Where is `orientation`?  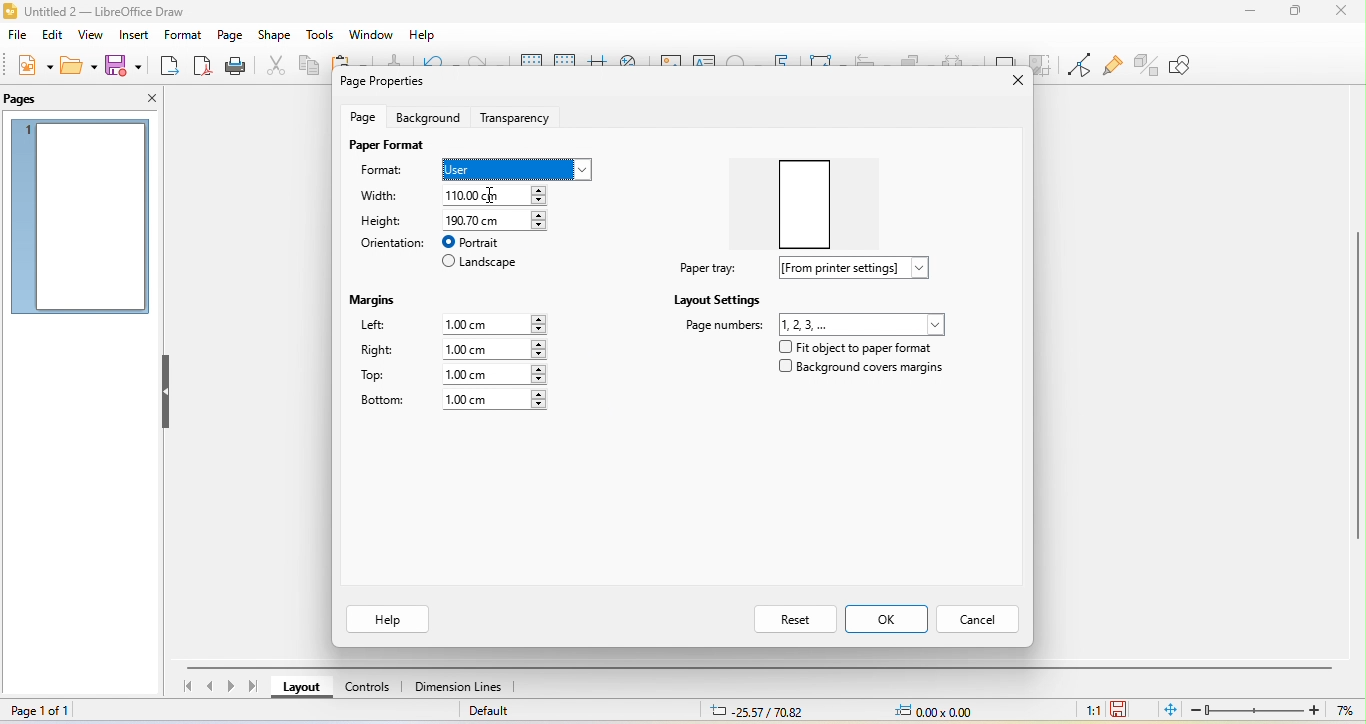
orientation is located at coordinates (390, 243).